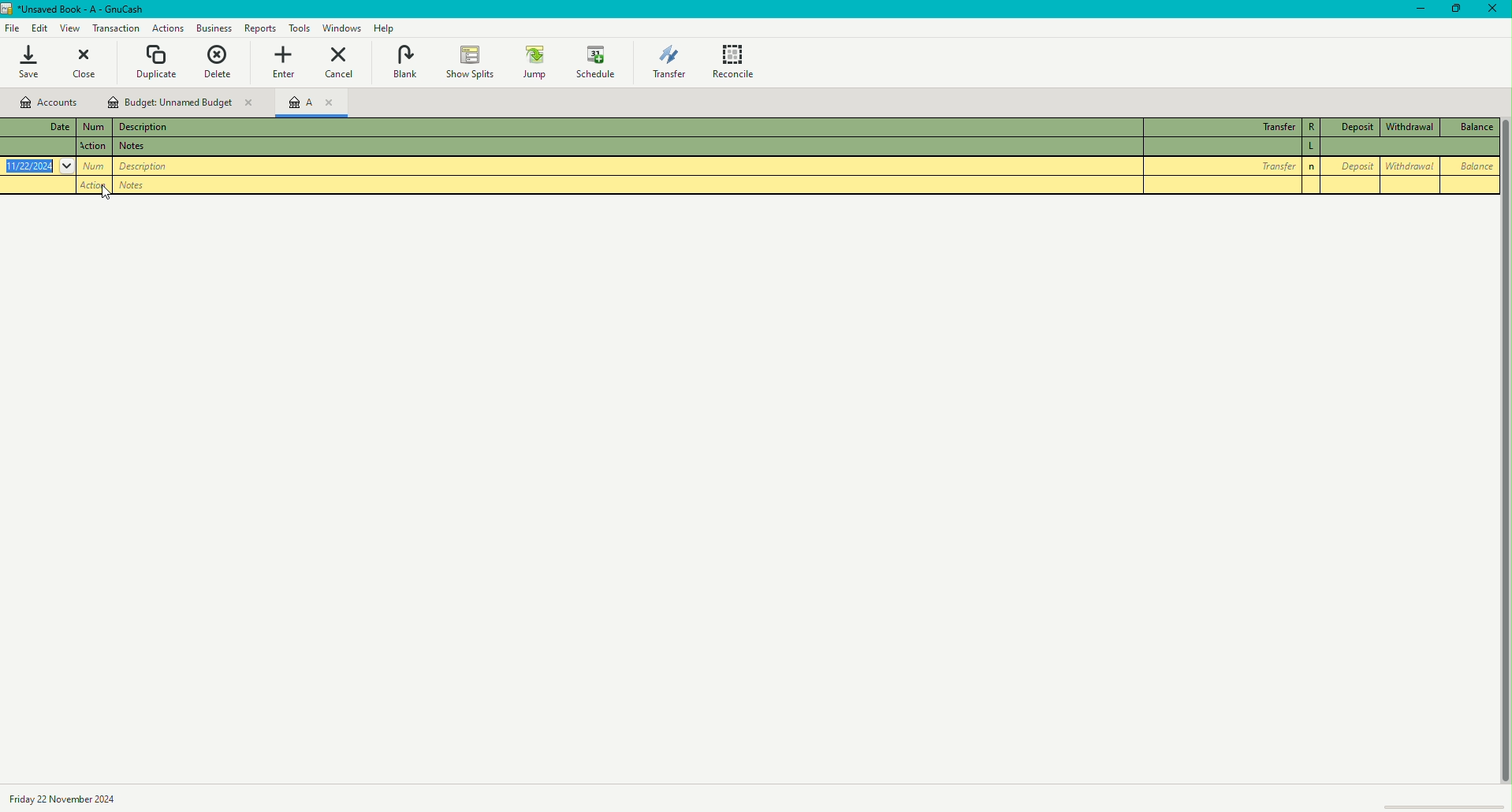  What do you see at coordinates (142, 148) in the screenshot?
I see `Description` at bounding box center [142, 148].